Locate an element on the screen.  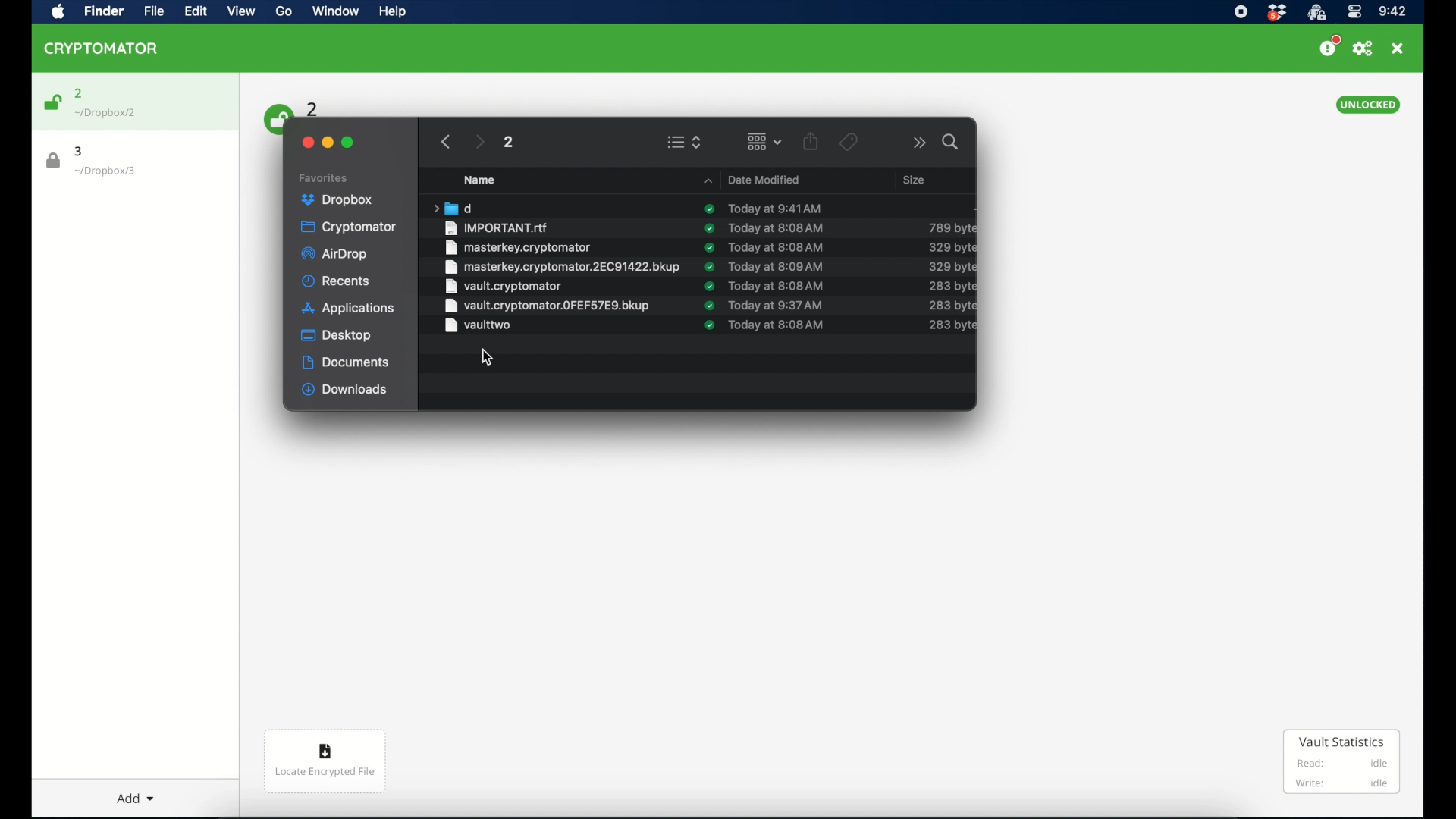
downloads is located at coordinates (345, 390).